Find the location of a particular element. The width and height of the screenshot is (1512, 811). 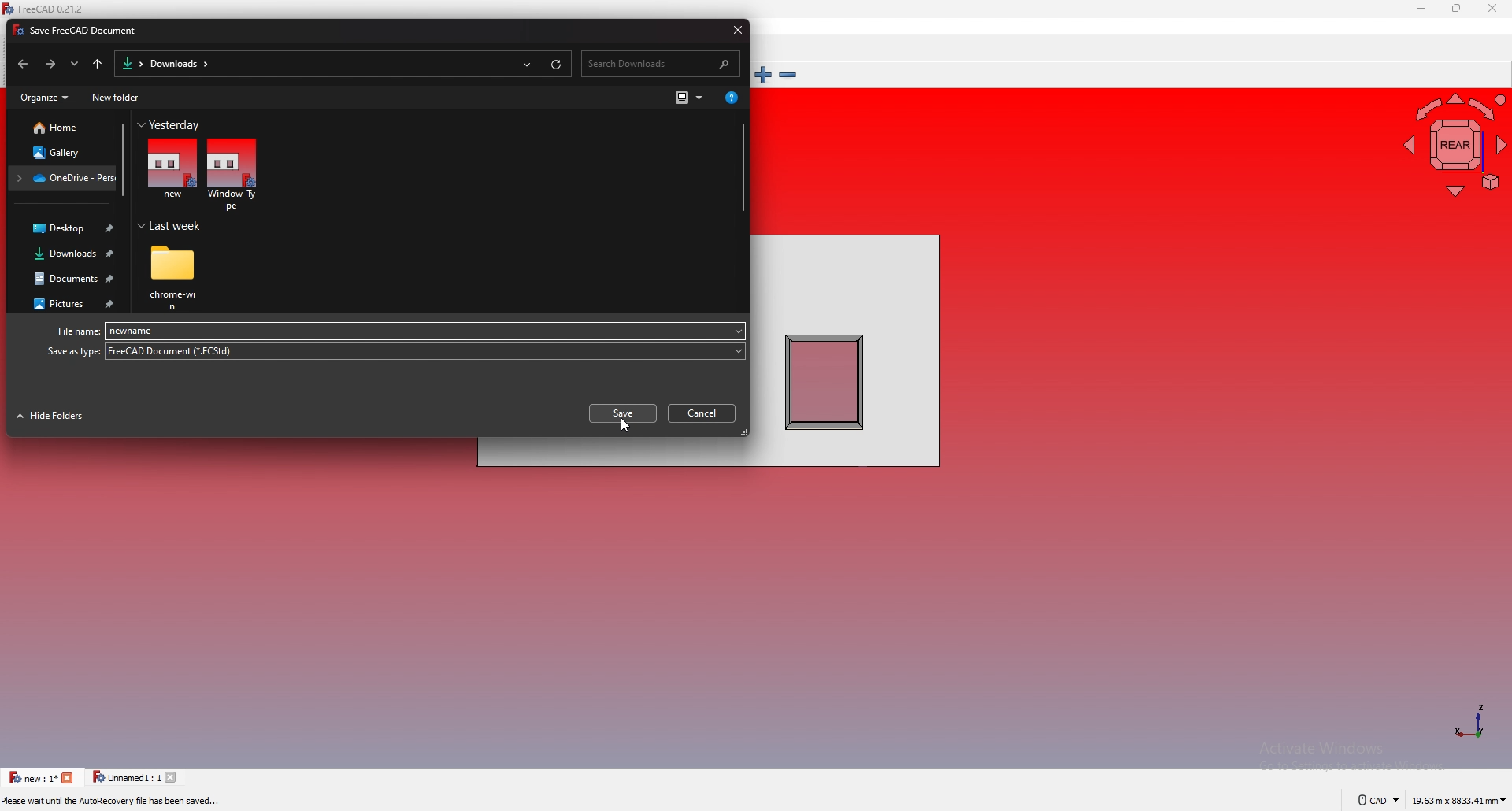

pictures is located at coordinates (65, 302).